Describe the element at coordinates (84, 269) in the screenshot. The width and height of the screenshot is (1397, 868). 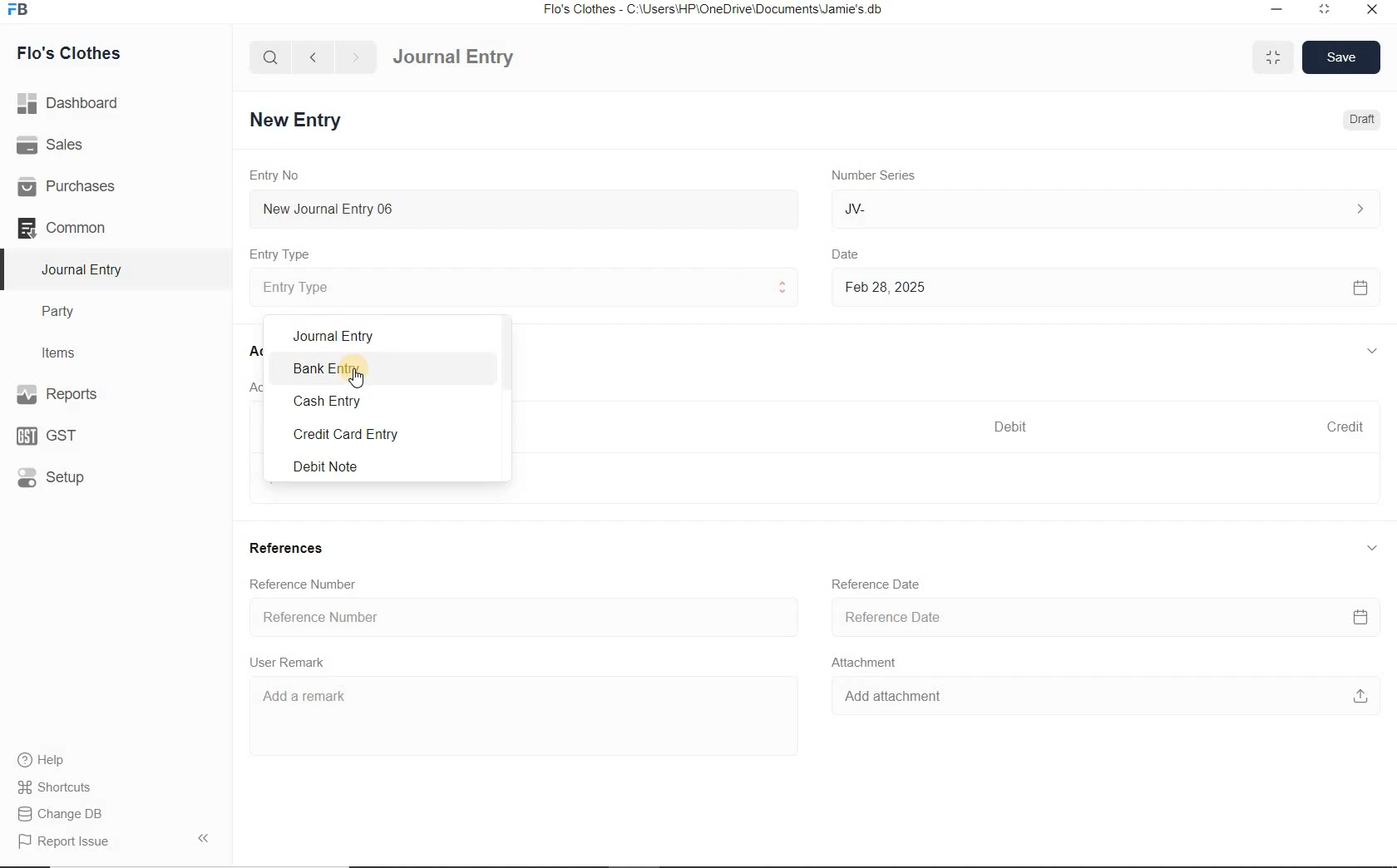
I see `Journal Entry` at that location.